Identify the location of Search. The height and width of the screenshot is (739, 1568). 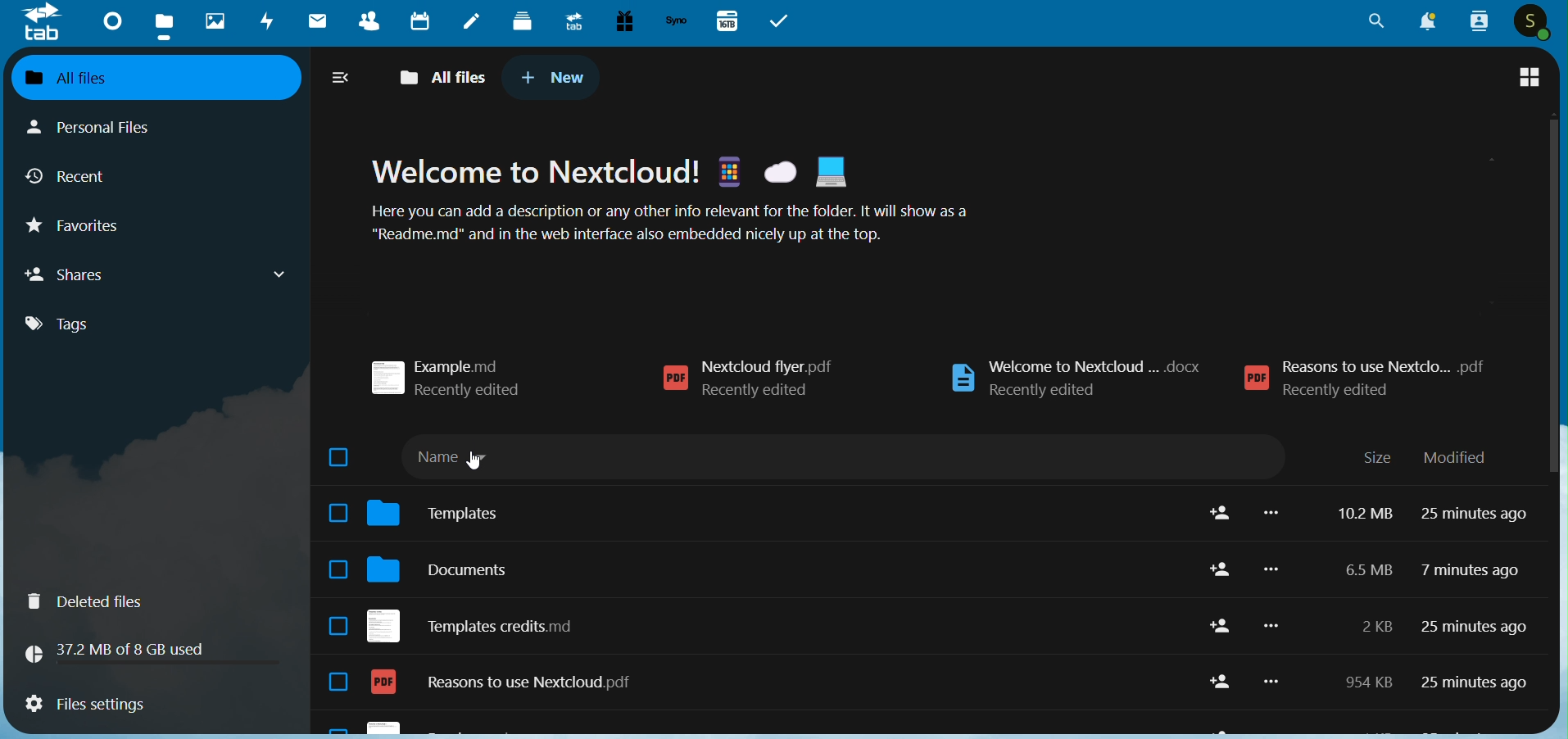
(1374, 20).